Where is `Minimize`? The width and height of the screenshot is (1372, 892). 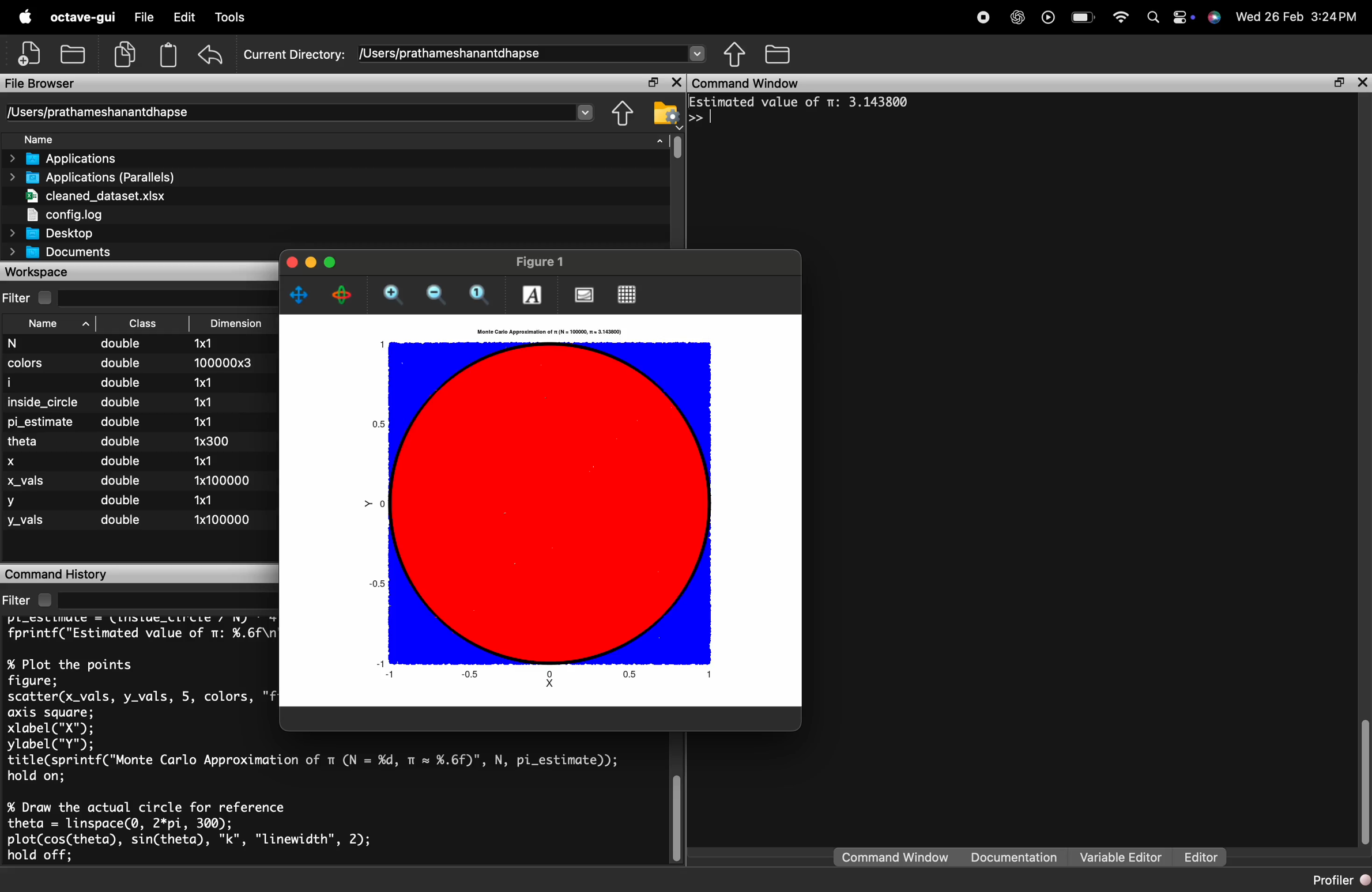 Minimize is located at coordinates (312, 262).